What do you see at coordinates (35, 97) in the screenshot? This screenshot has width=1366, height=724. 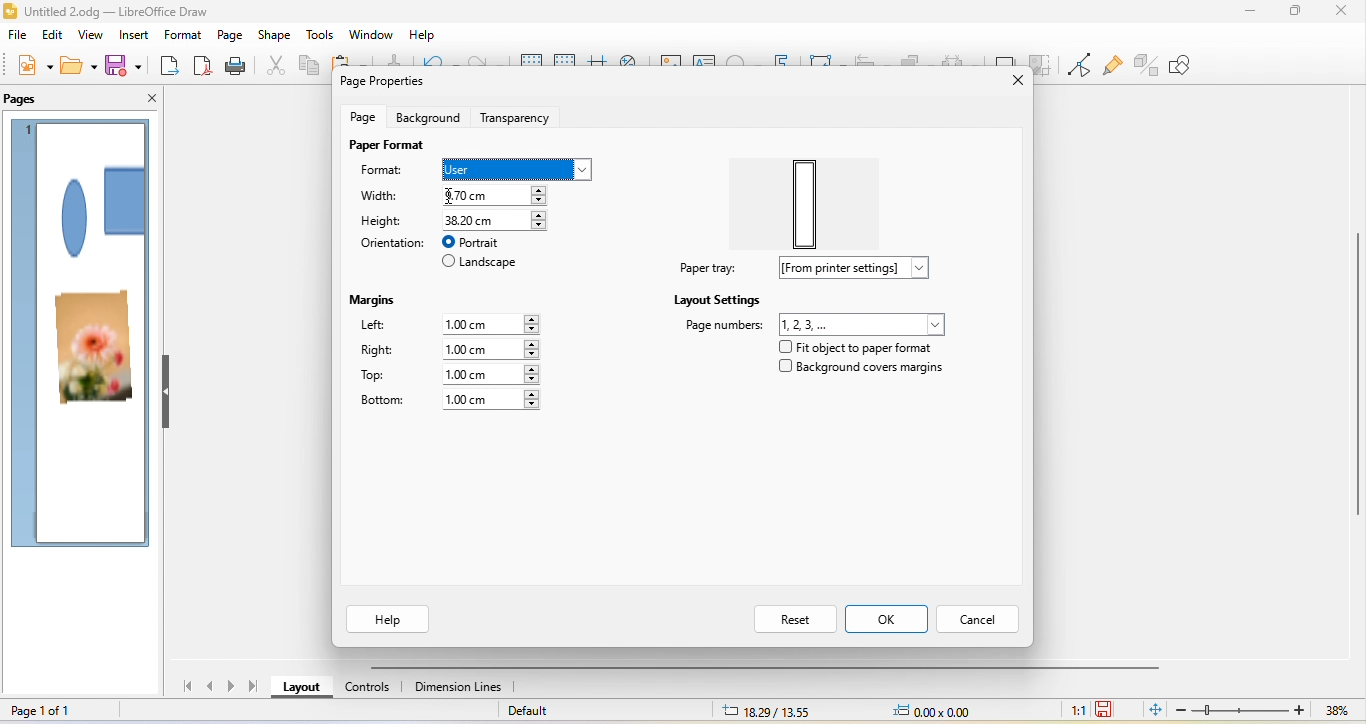 I see `pages` at bounding box center [35, 97].